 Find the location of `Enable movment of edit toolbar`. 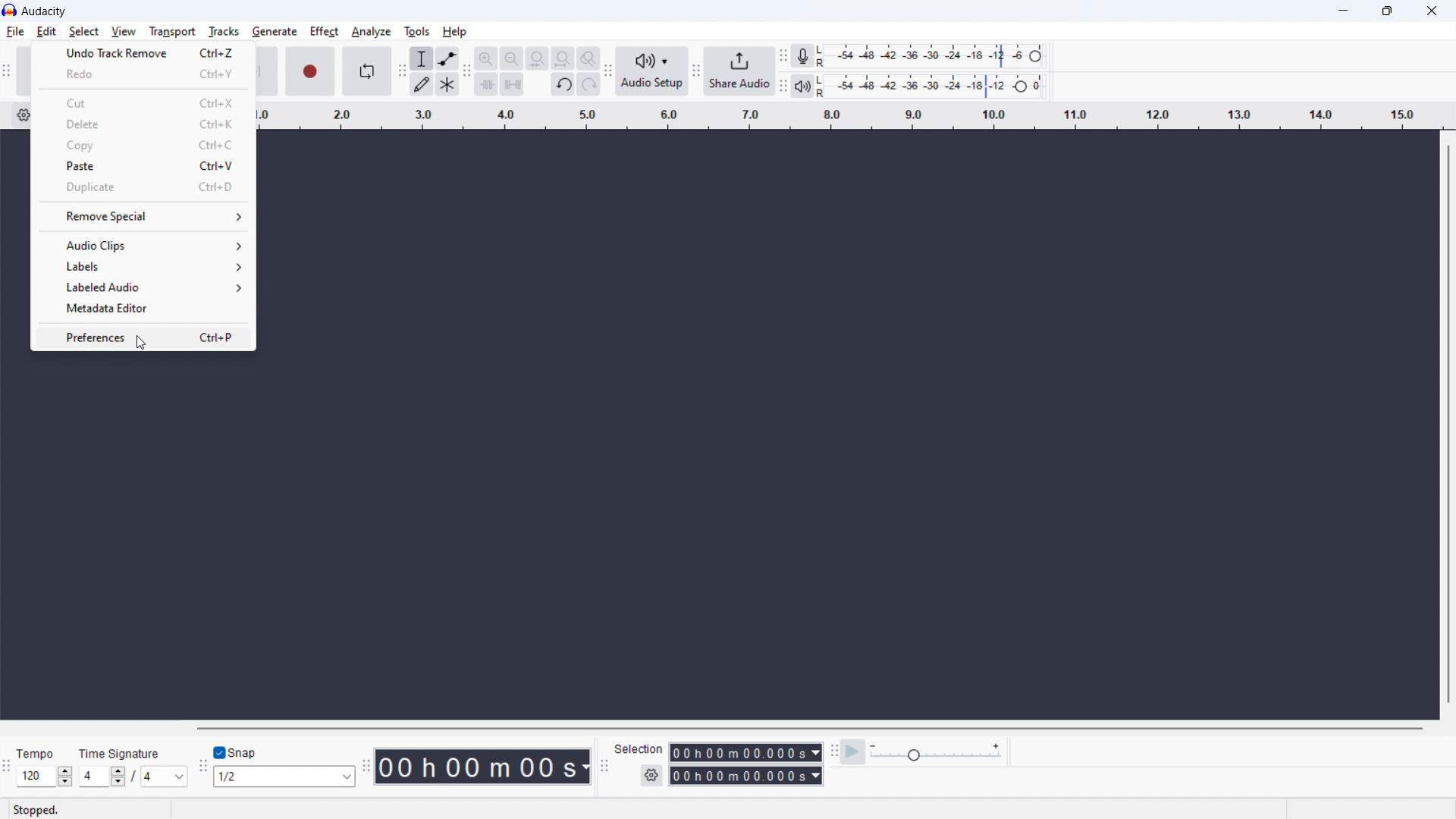

Enable movment of edit toolbar is located at coordinates (467, 71).